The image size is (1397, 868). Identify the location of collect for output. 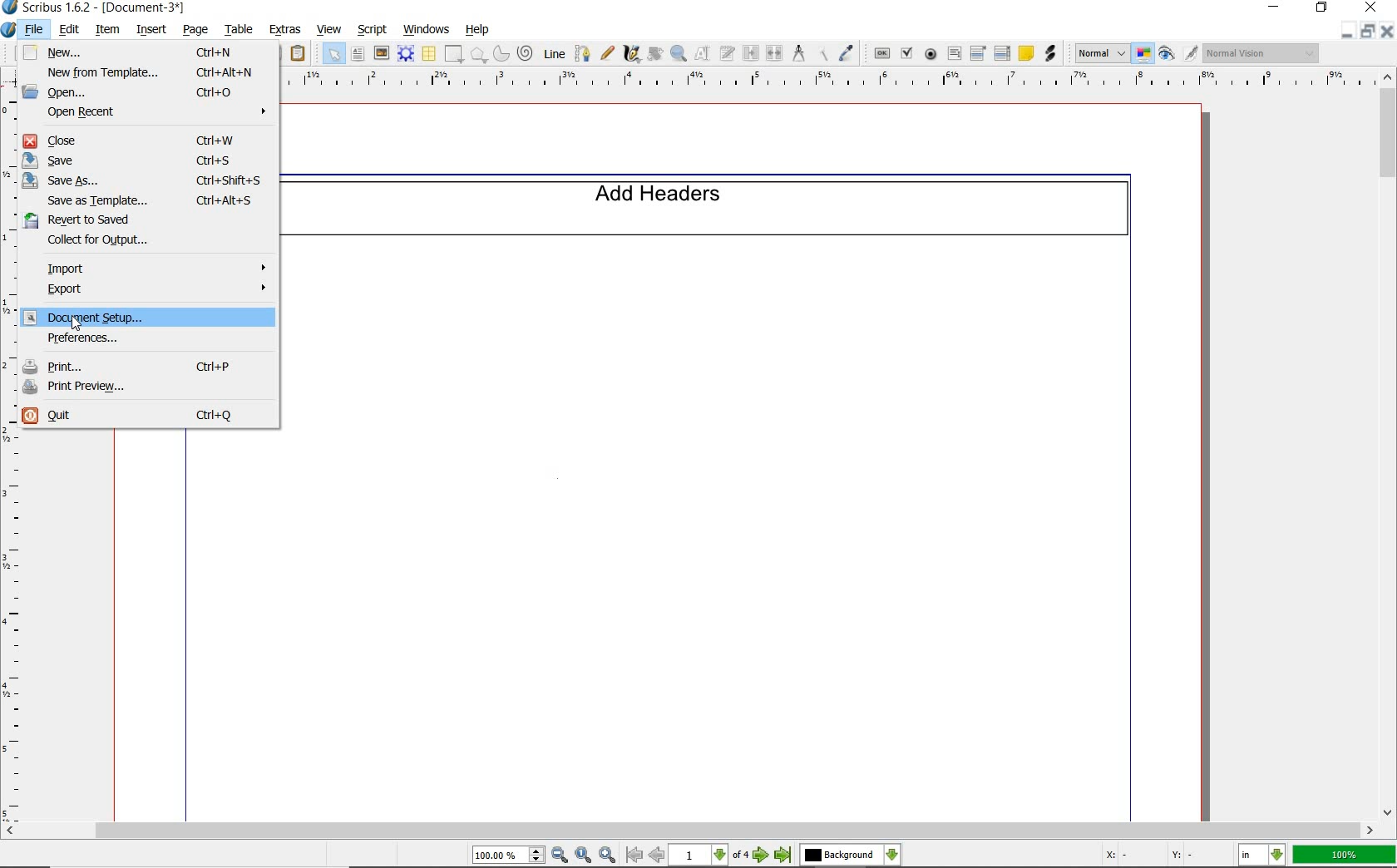
(158, 243).